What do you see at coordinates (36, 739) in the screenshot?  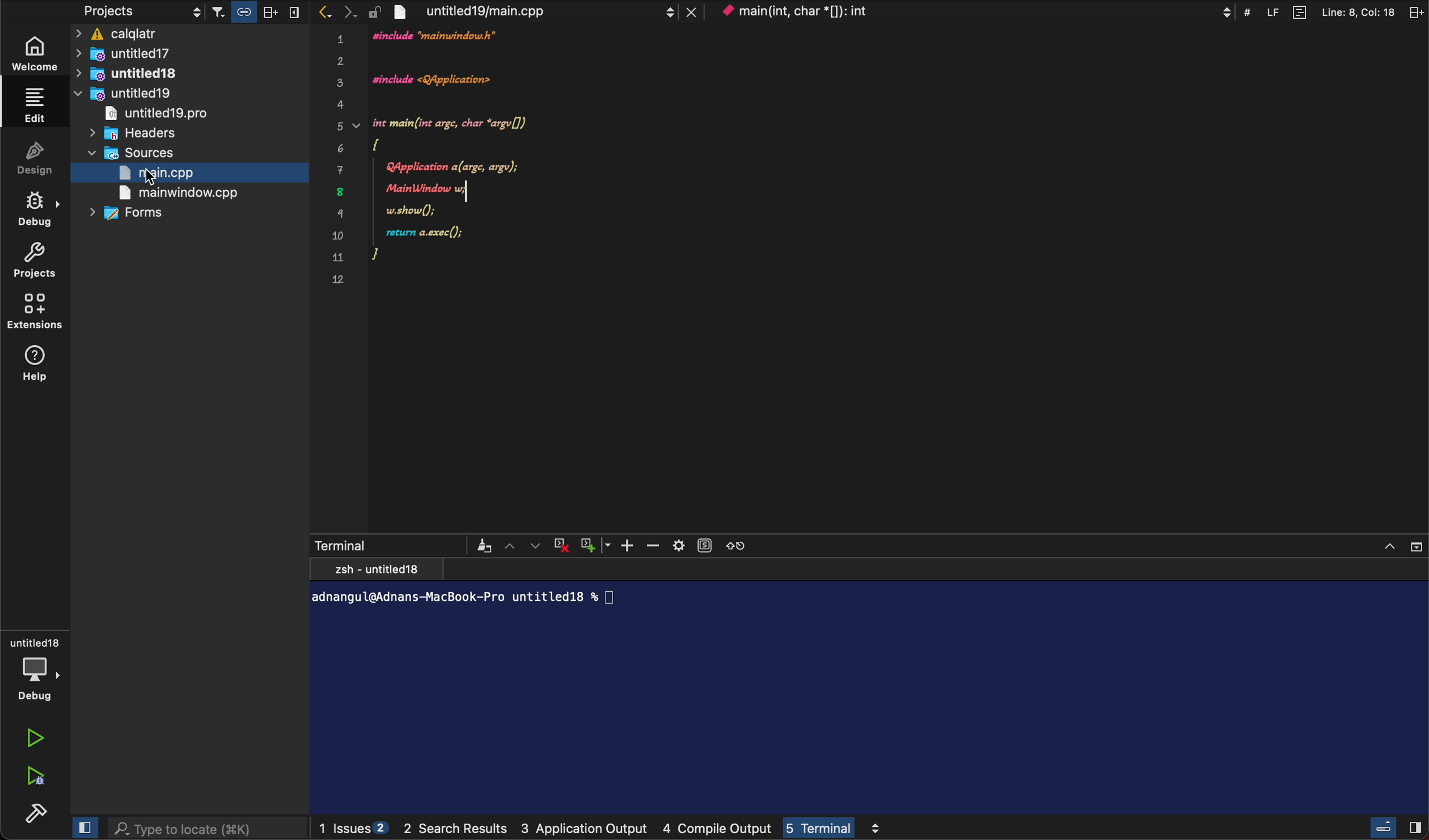 I see `run` at bounding box center [36, 739].